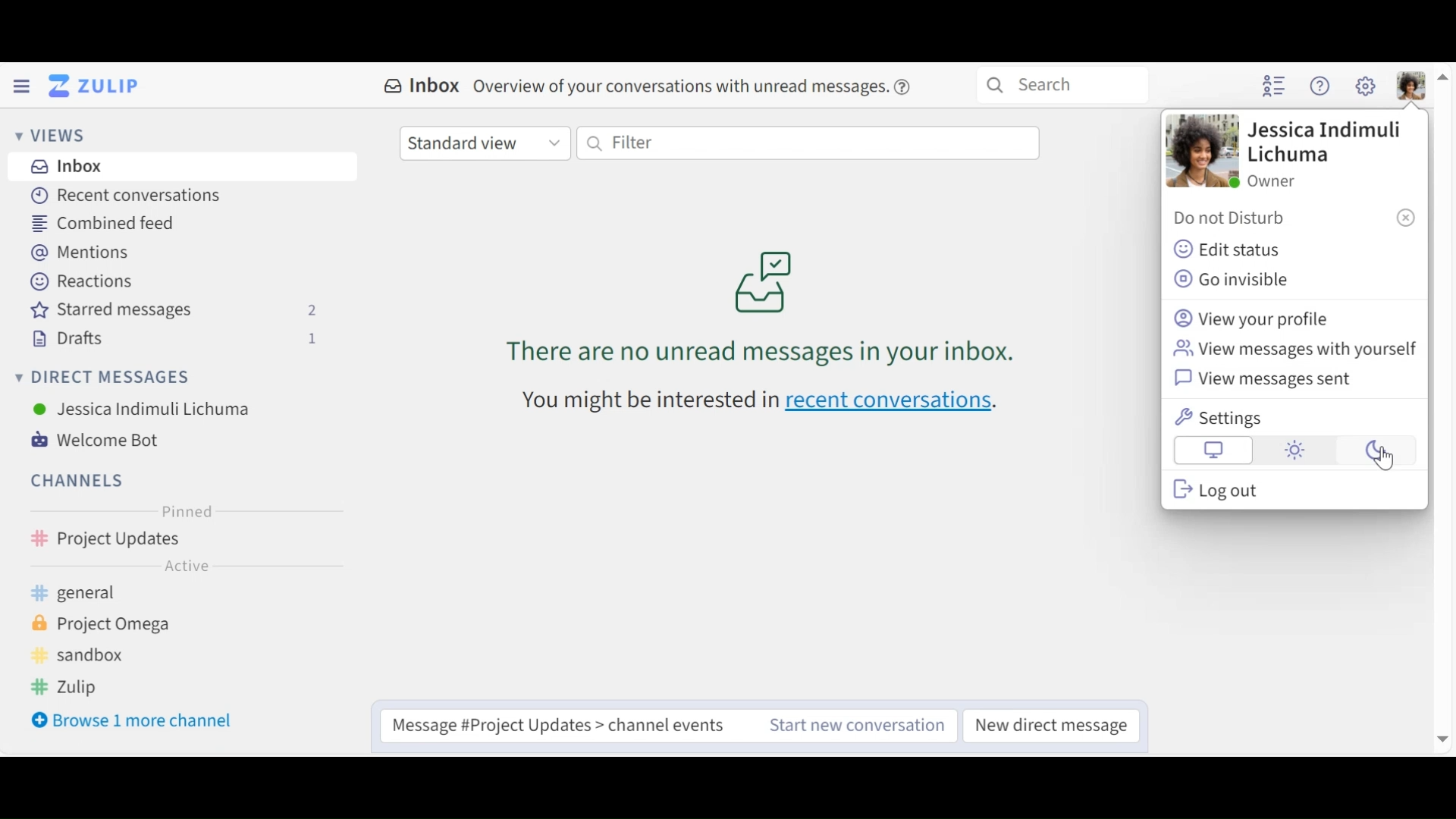 This screenshot has width=1456, height=819. What do you see at coordinates (843, 726) in the screenshot?
I see `Start new conversation` at bounding box center [843, 726].